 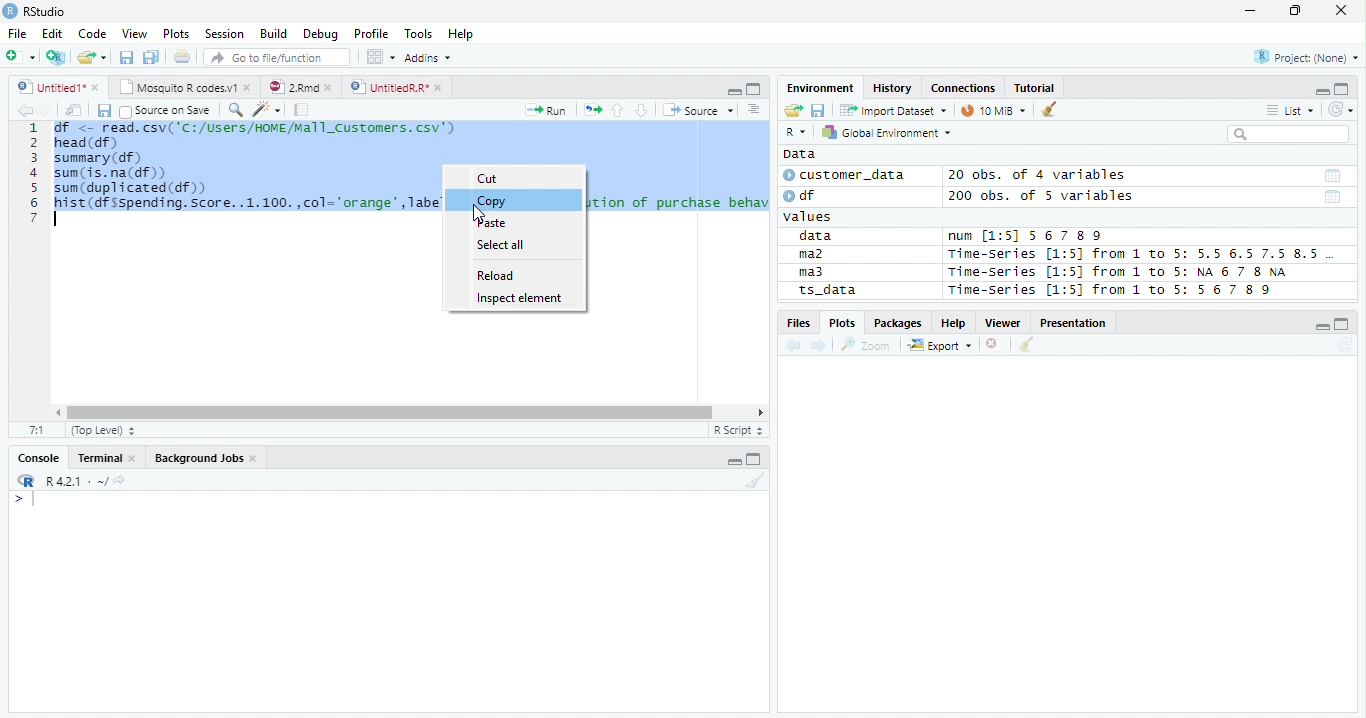 What do you see at coordinates (151, 58) in the screenshot?
I see `Save all open documents` at bounding box center [151, 58].